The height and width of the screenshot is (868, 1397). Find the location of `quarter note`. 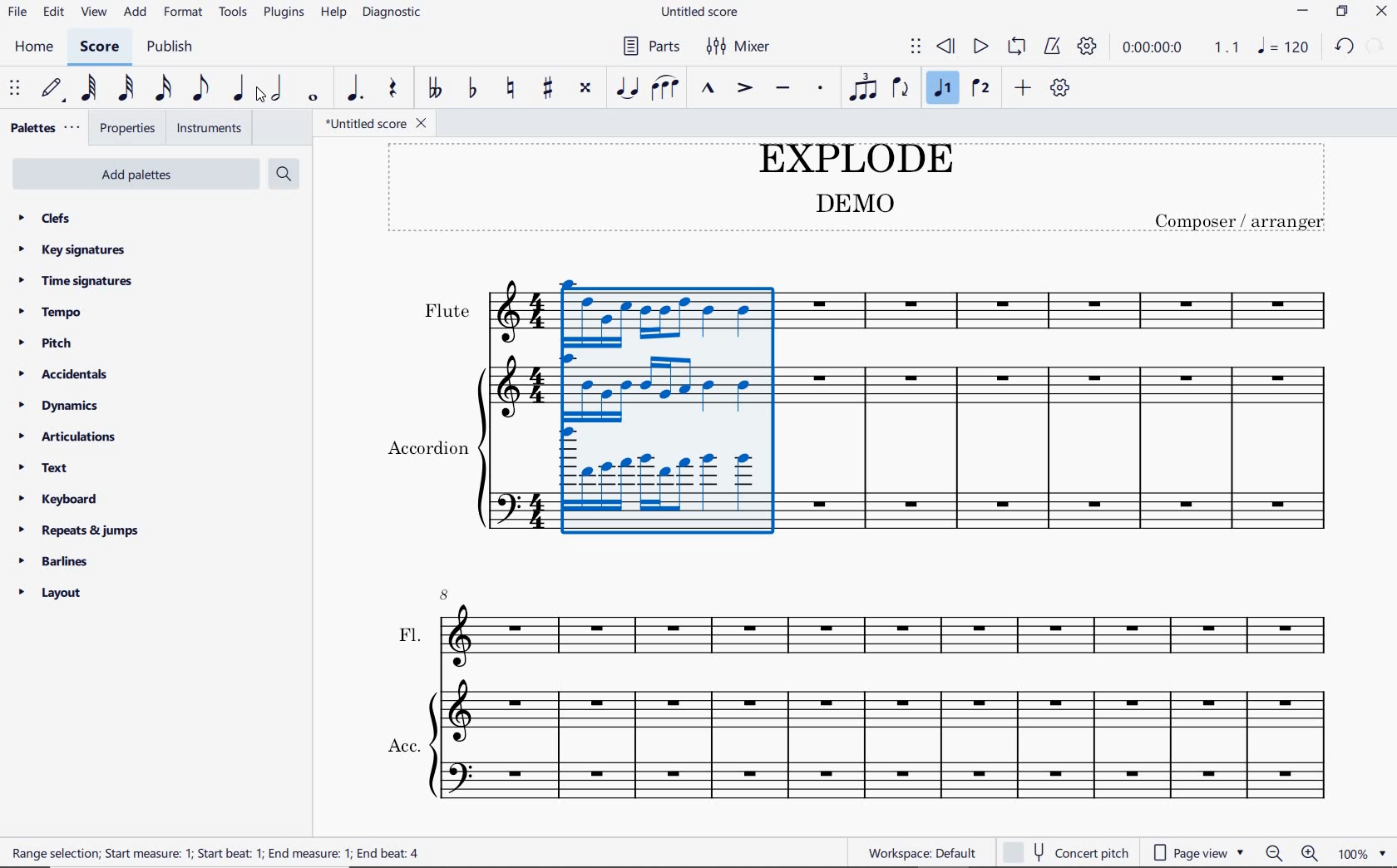

quarter note is located at coordinates (238, 89).